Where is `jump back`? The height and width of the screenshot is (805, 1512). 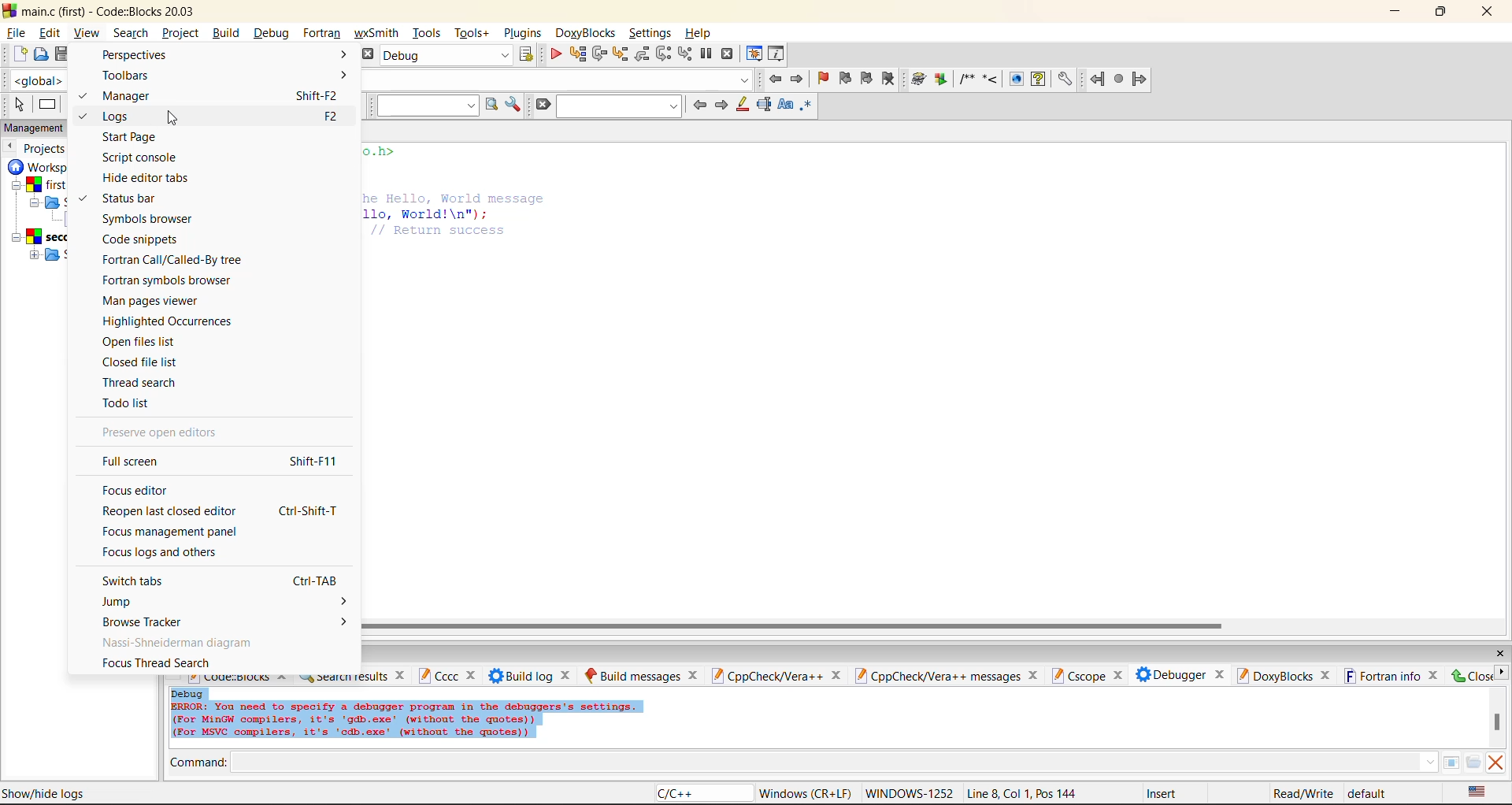 jump back is located at coordinates (775, 78).